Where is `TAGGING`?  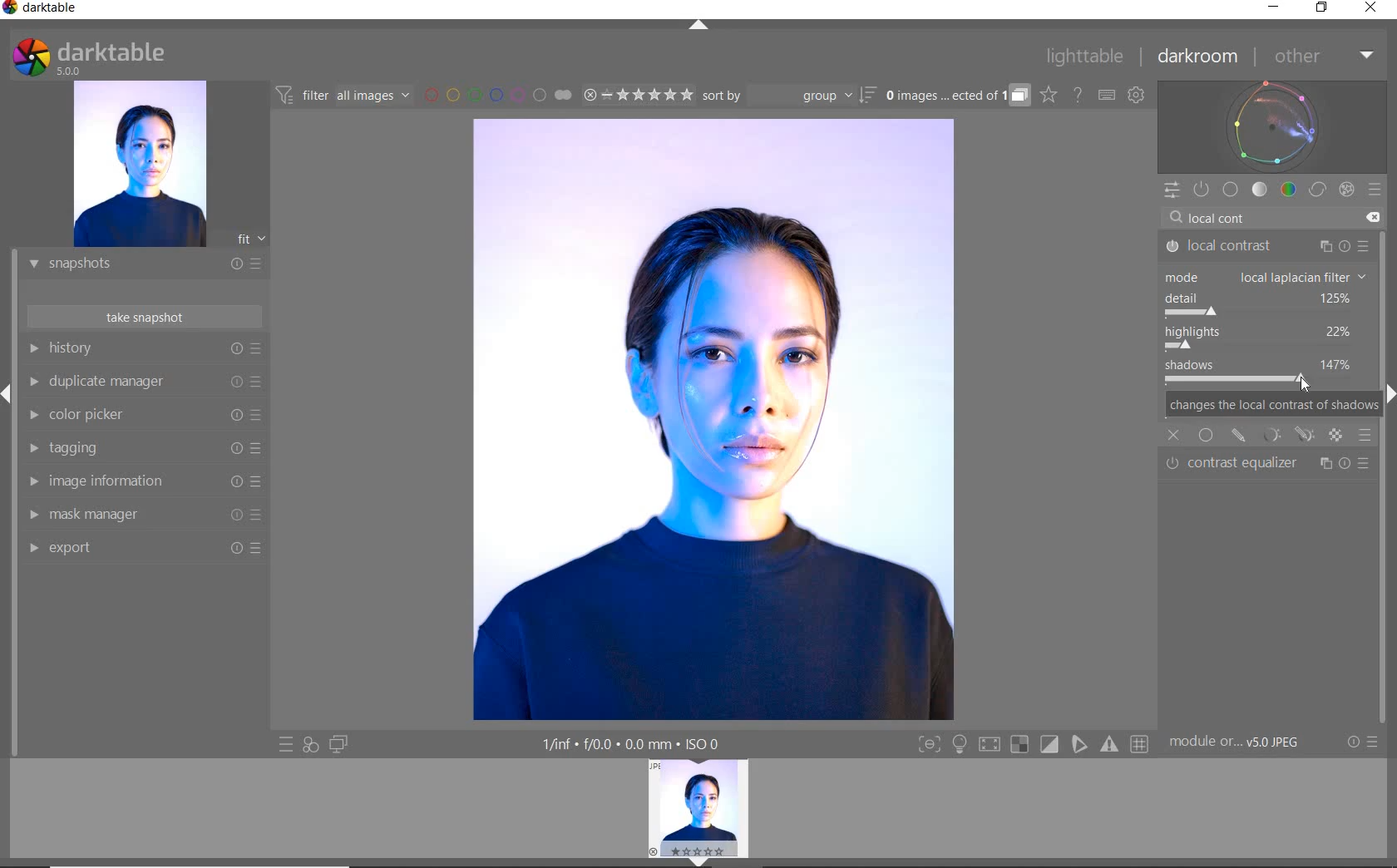
TAGGING is located at coordinates (141, 449).